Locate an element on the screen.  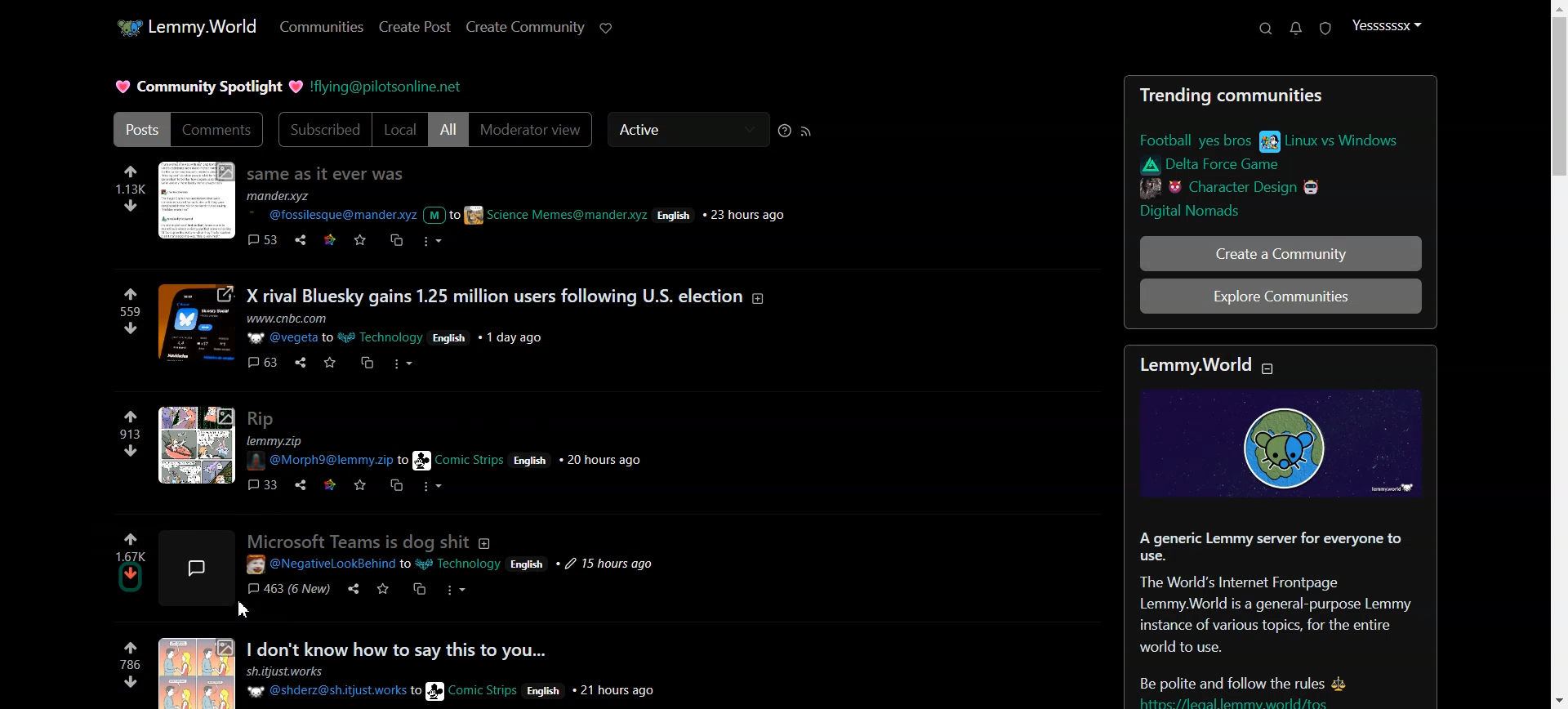
link is located at coordinates (1232, 186).